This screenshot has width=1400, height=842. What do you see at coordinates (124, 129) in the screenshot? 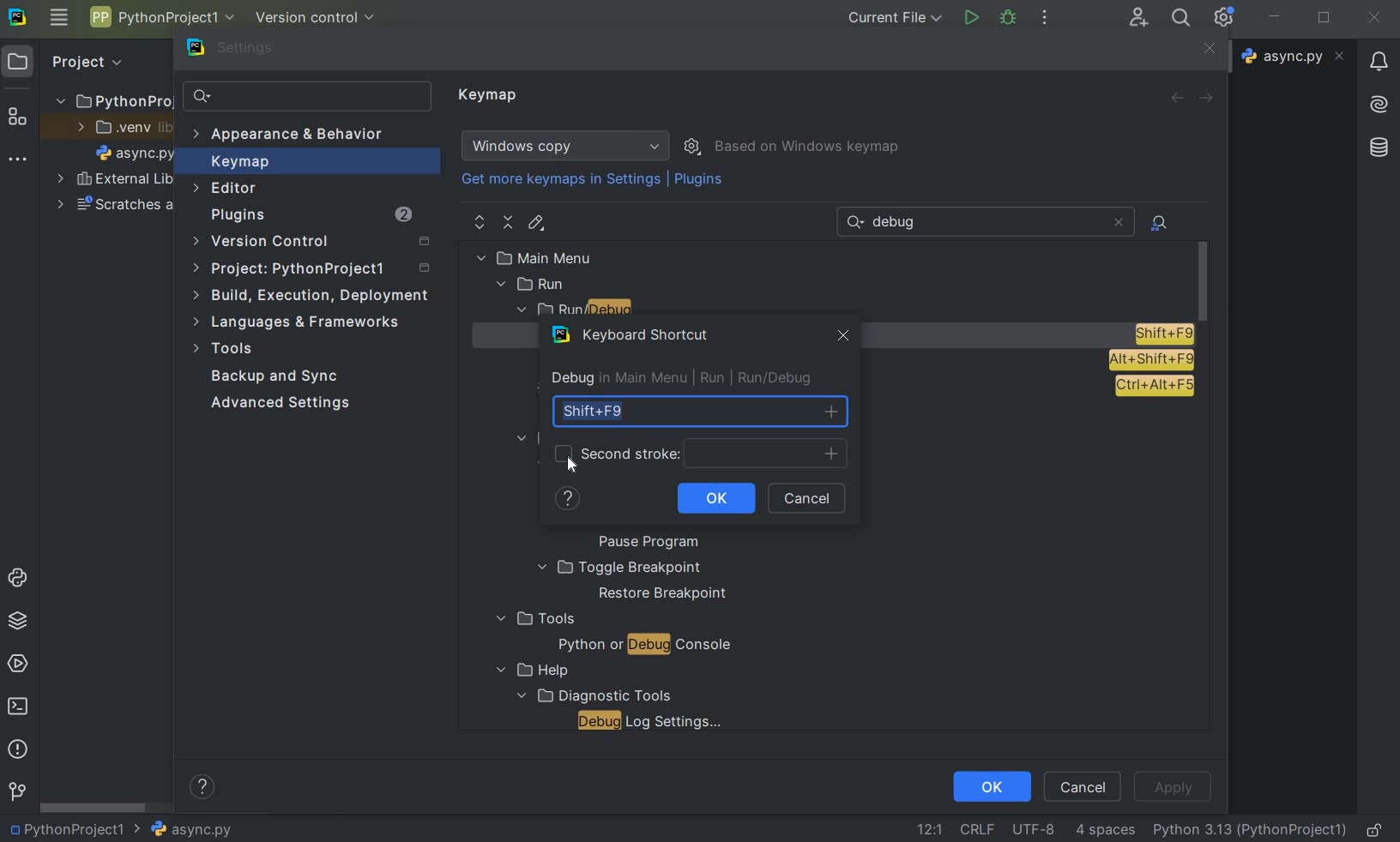
I see `.venv` at bounding box center [124, 129].